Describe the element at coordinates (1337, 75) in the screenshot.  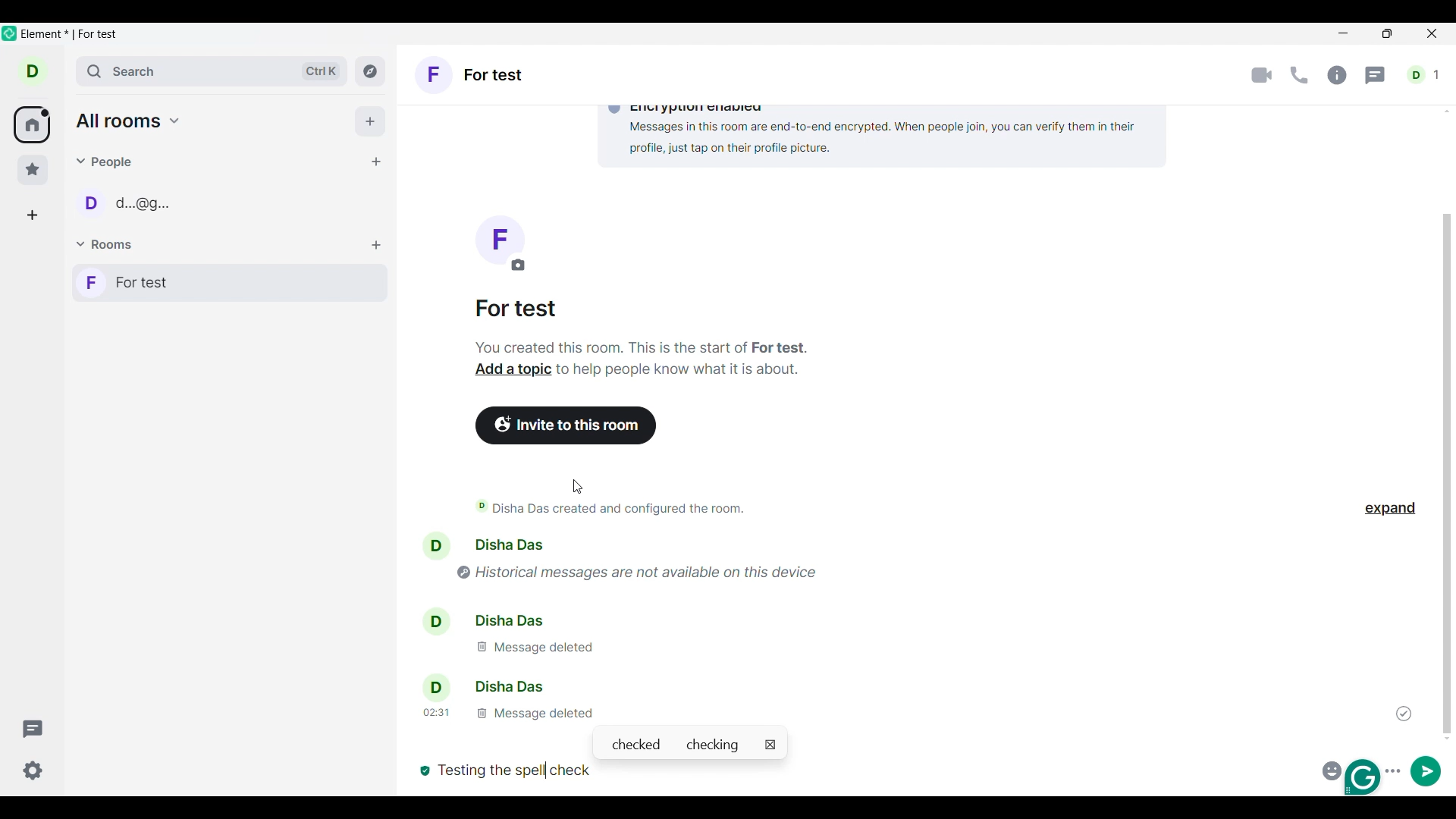
I see `Room info` at that location.